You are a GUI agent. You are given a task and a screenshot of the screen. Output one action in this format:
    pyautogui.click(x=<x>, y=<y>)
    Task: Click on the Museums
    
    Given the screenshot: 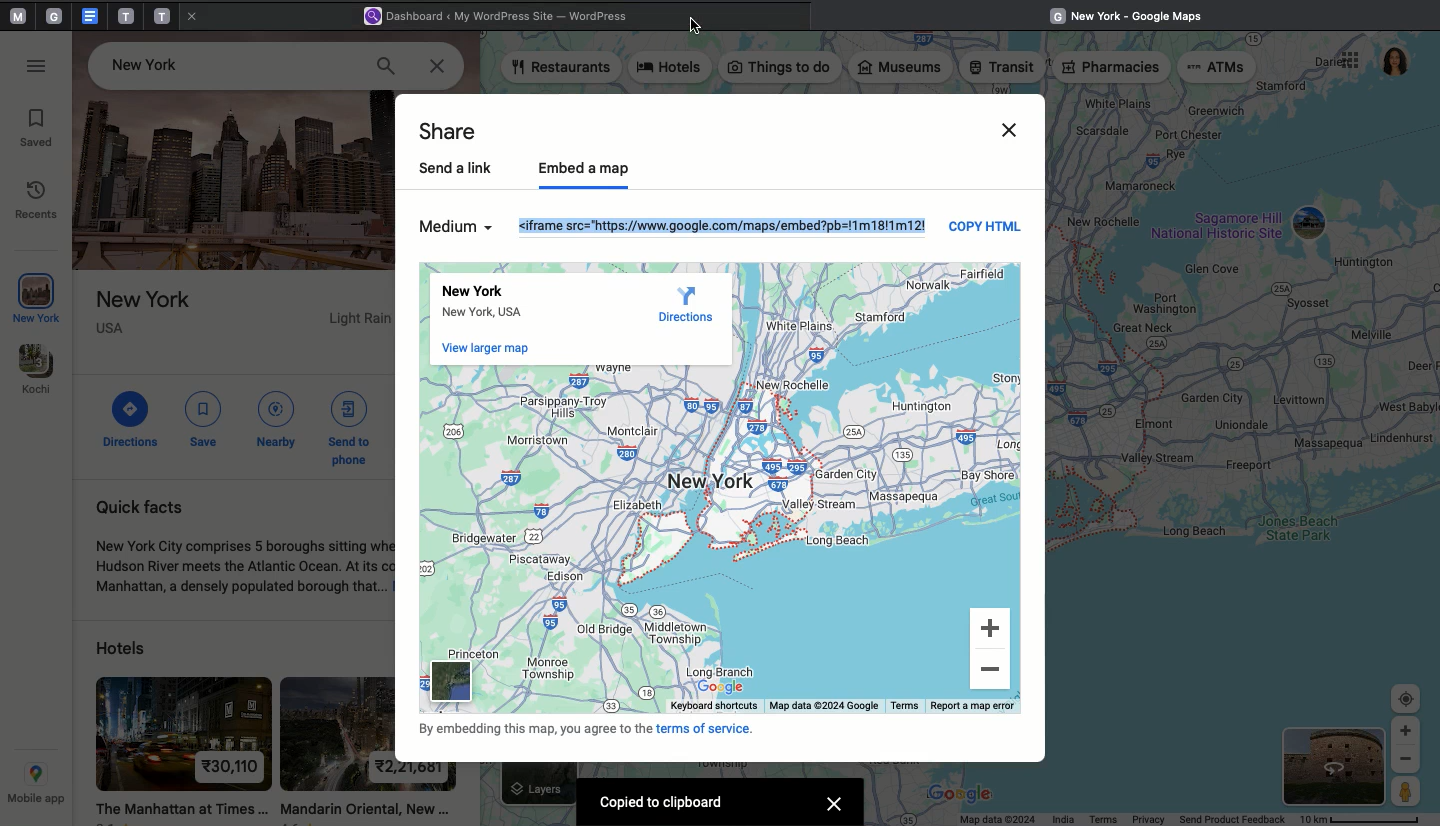 What is the action you would take?
    pyautogui.click(x=902, y=69)
    